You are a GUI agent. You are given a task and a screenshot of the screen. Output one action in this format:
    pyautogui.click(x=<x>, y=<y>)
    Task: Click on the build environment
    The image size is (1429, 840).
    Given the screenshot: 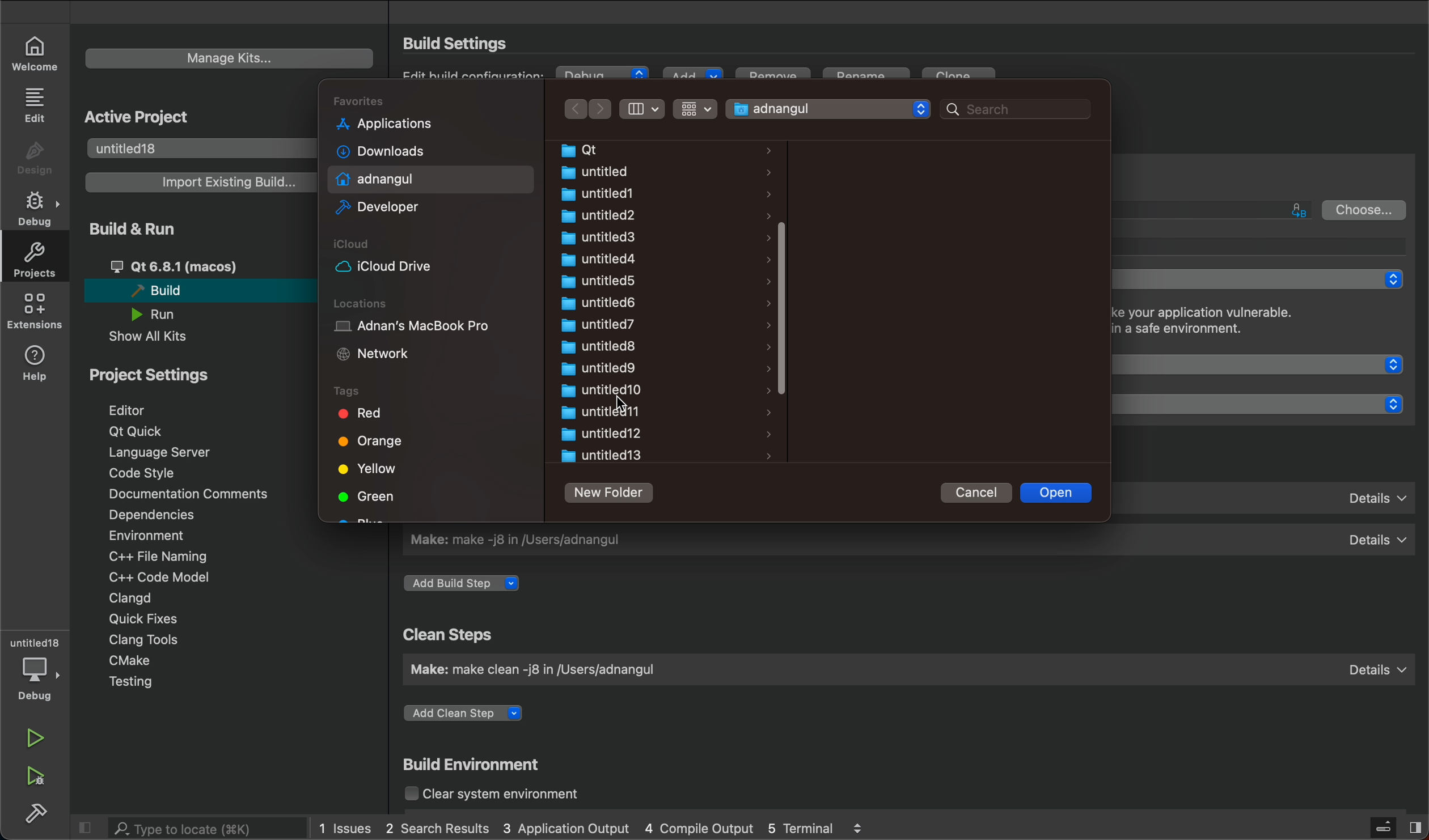 What is the action you would take?
    pyautogui.click(x=483, y=764)
    